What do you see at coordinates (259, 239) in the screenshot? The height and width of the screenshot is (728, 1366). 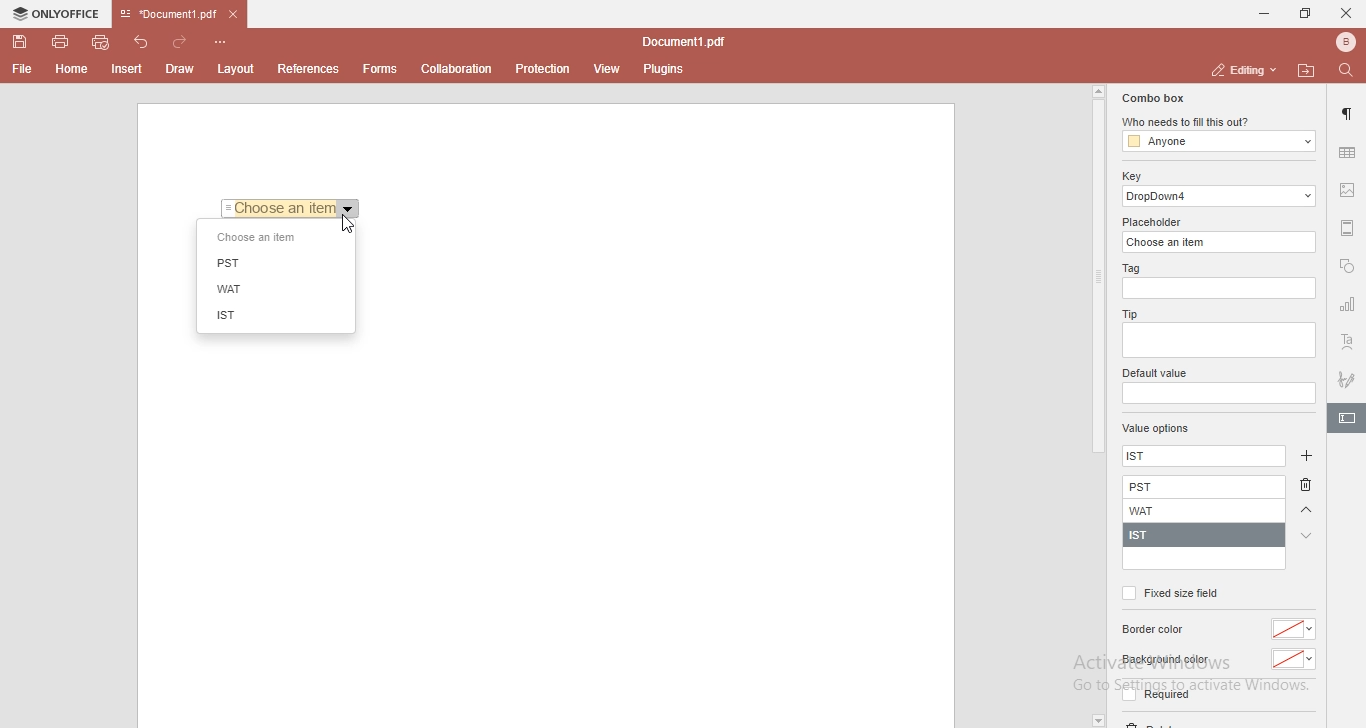 I see `choose an item` at bounding box center [259, 239].